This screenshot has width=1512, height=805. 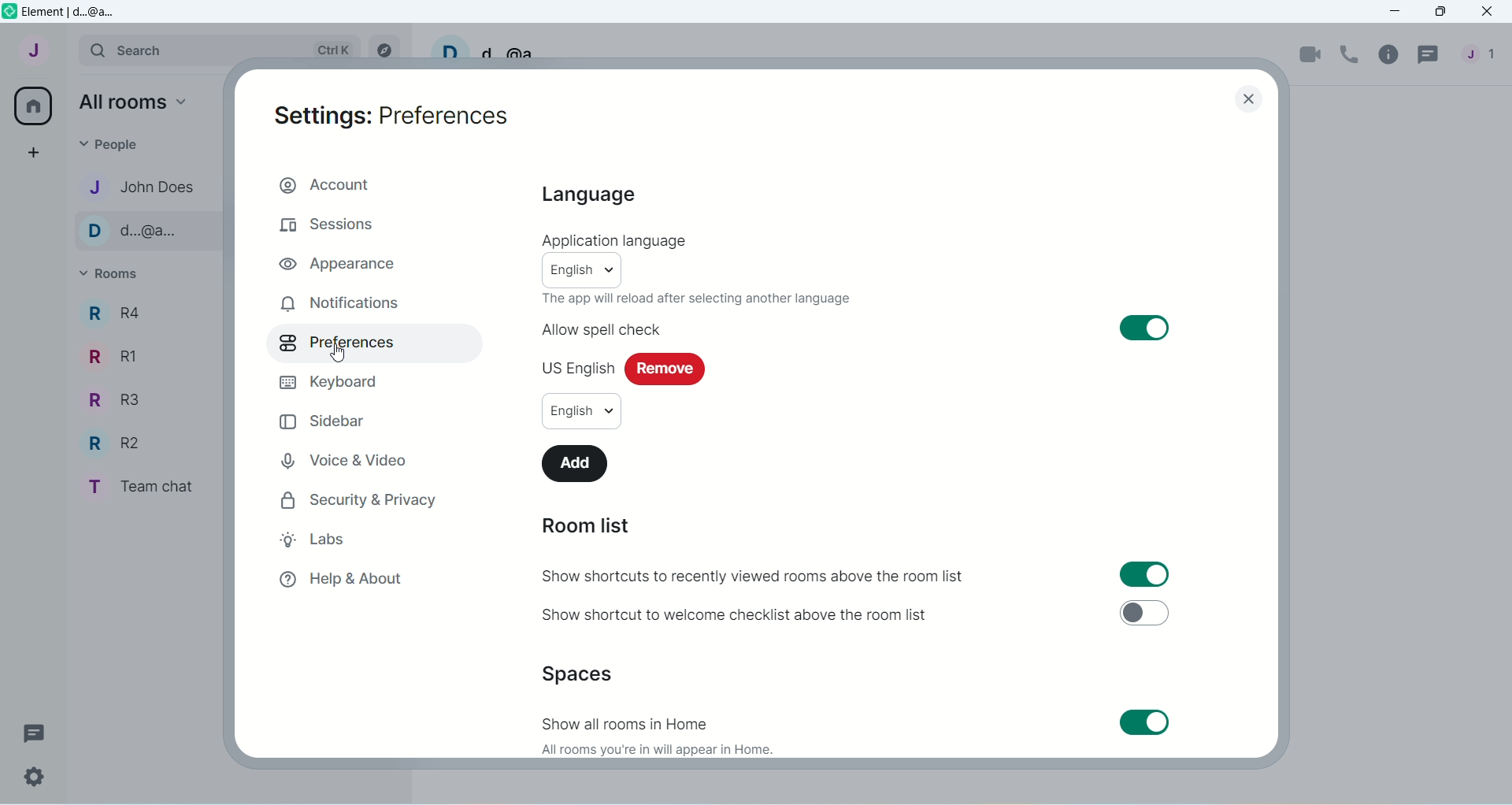 What do you see at coordinates (354, 456) in the screenshot?
I see `Voice and Video` at bounding box center [354, 456].